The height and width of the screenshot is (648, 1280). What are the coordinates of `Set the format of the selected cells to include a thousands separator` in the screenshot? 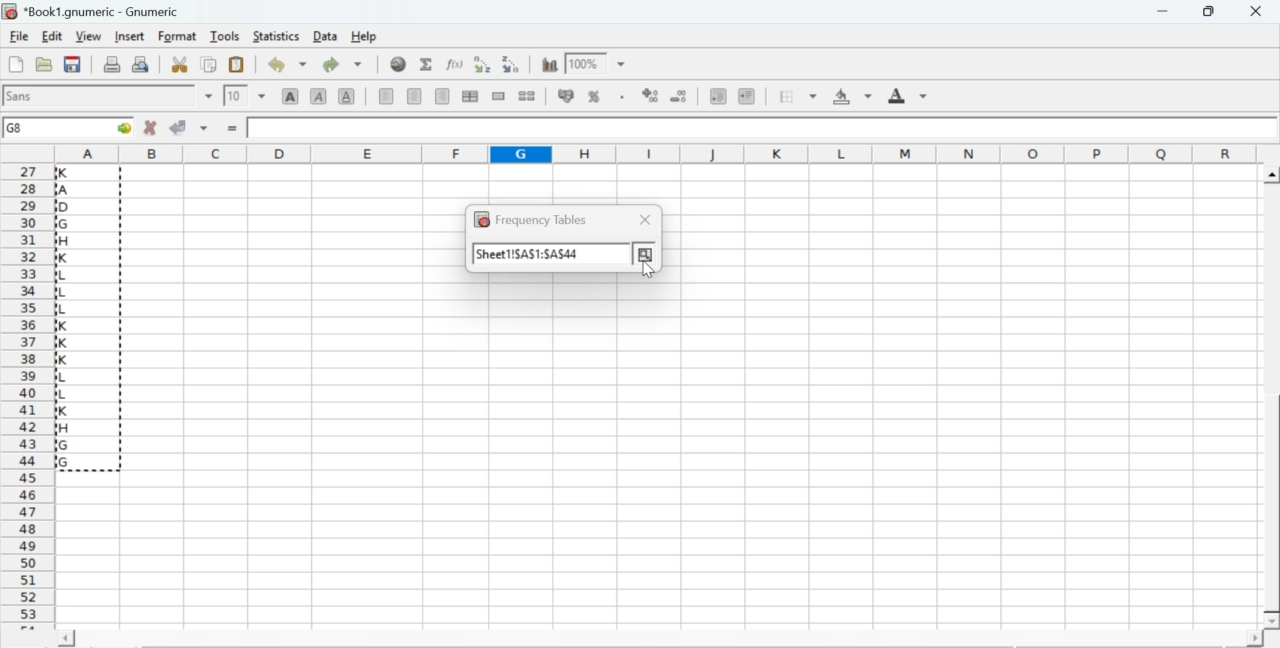 It's located at (620, 97).